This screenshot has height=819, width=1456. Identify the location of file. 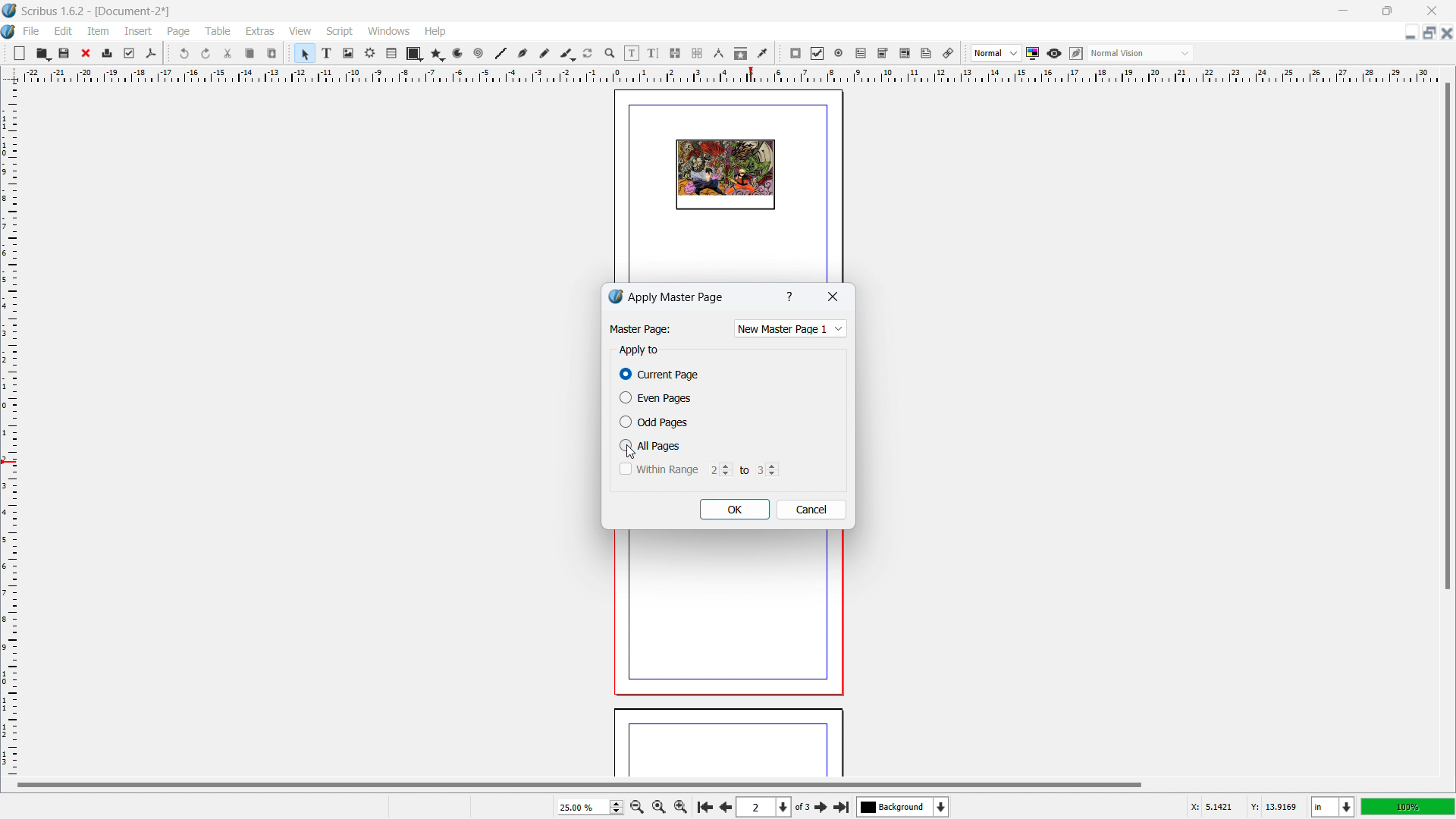
(30, 31).